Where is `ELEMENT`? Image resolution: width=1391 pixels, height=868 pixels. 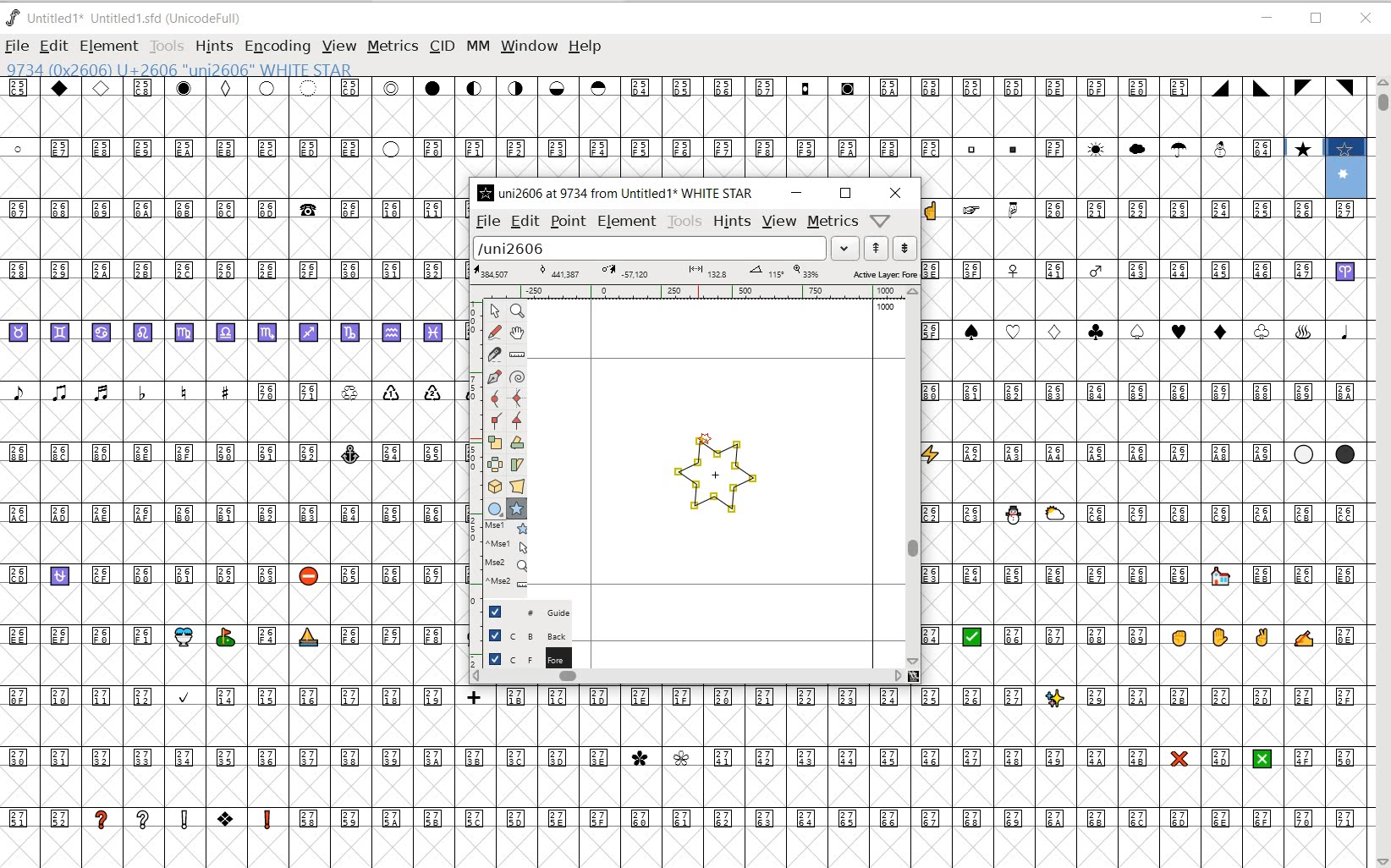 ELEMENT is located at coordinates (626, 223).